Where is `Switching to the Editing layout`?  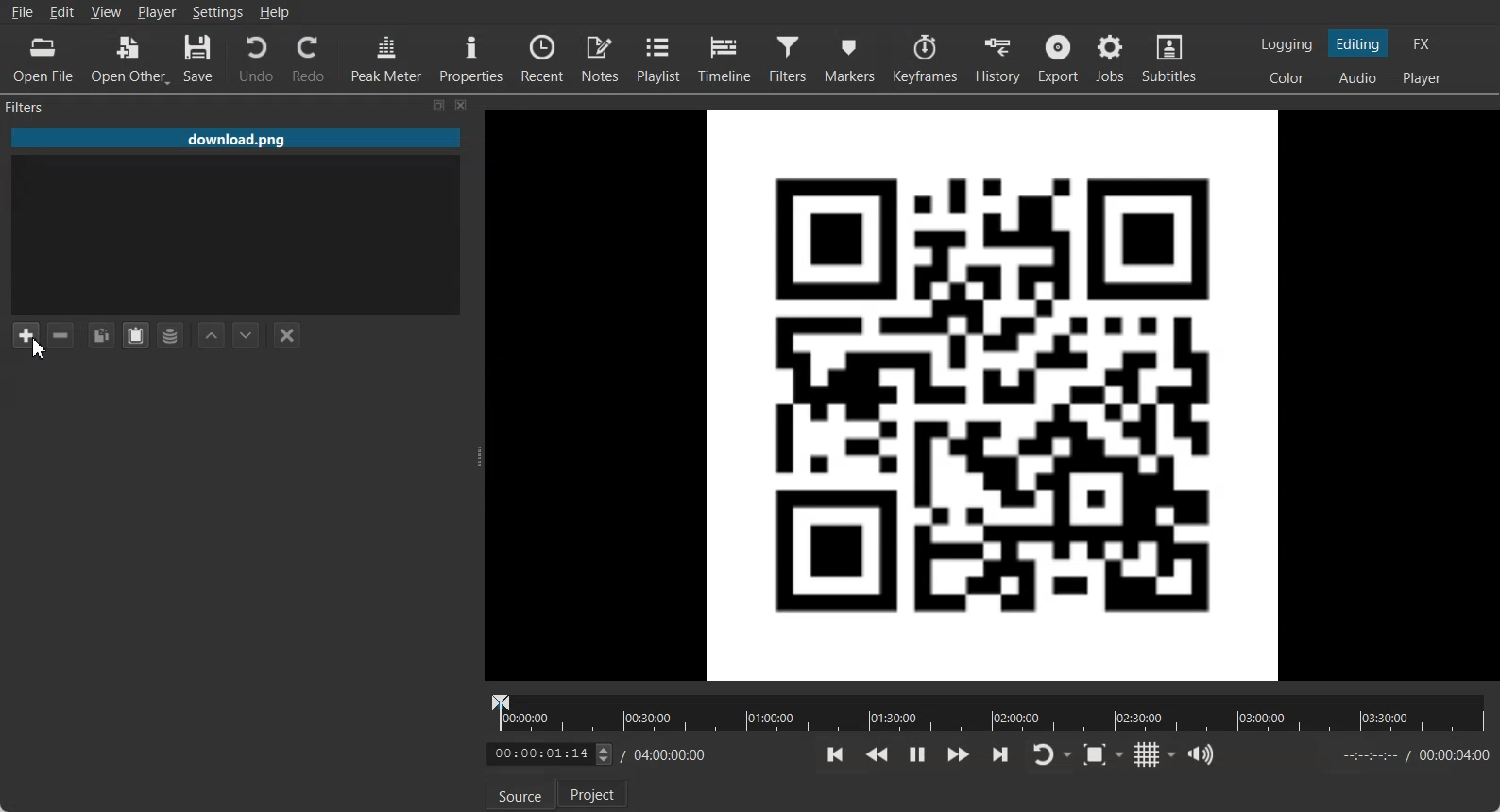 Switching to the Editing layout is located at coordinates (1358, 44).